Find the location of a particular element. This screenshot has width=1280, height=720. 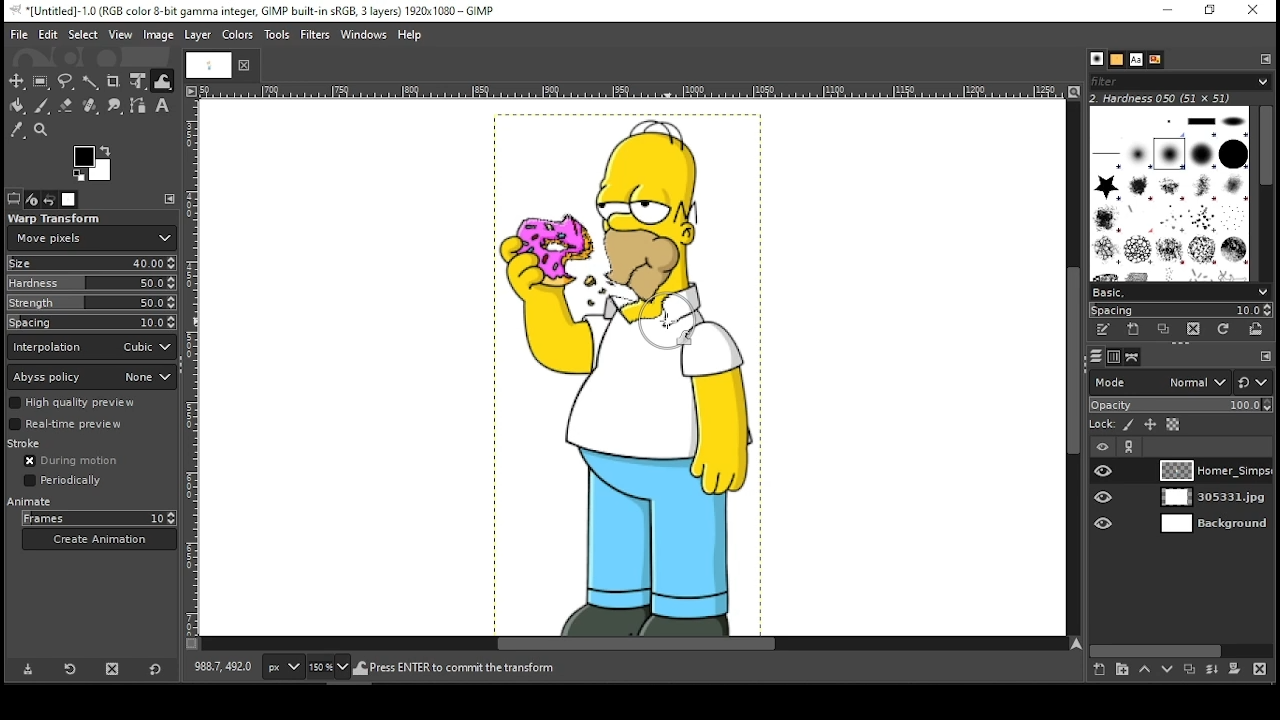

view is located at coordinates (122, 35).